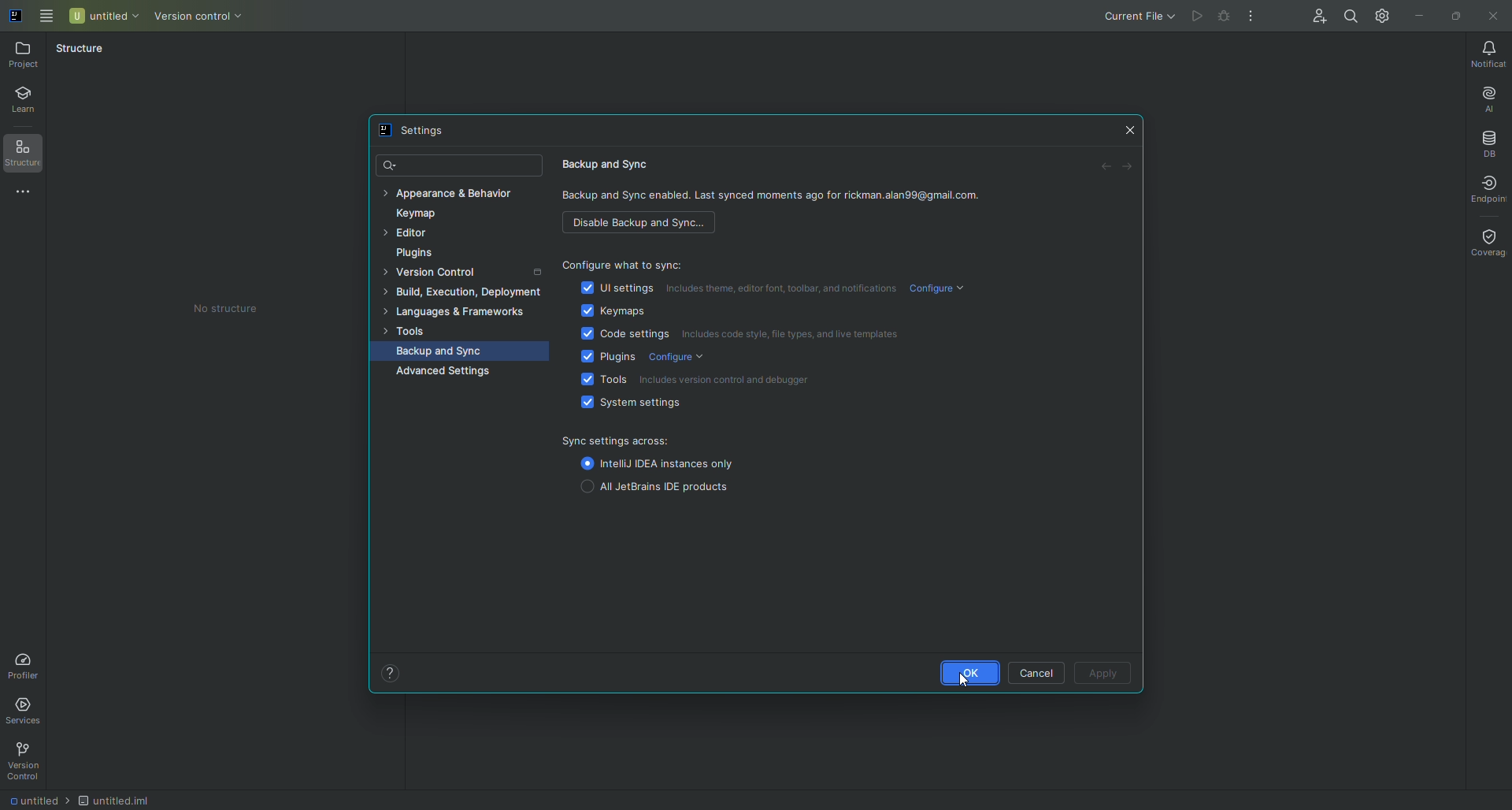 The width and height of the screenshot is (1512, 810). What do you see at coordinates (465, 292) in the screenshot?
I see `Build, Execution, Deployment` at bounding box center [465, 292].